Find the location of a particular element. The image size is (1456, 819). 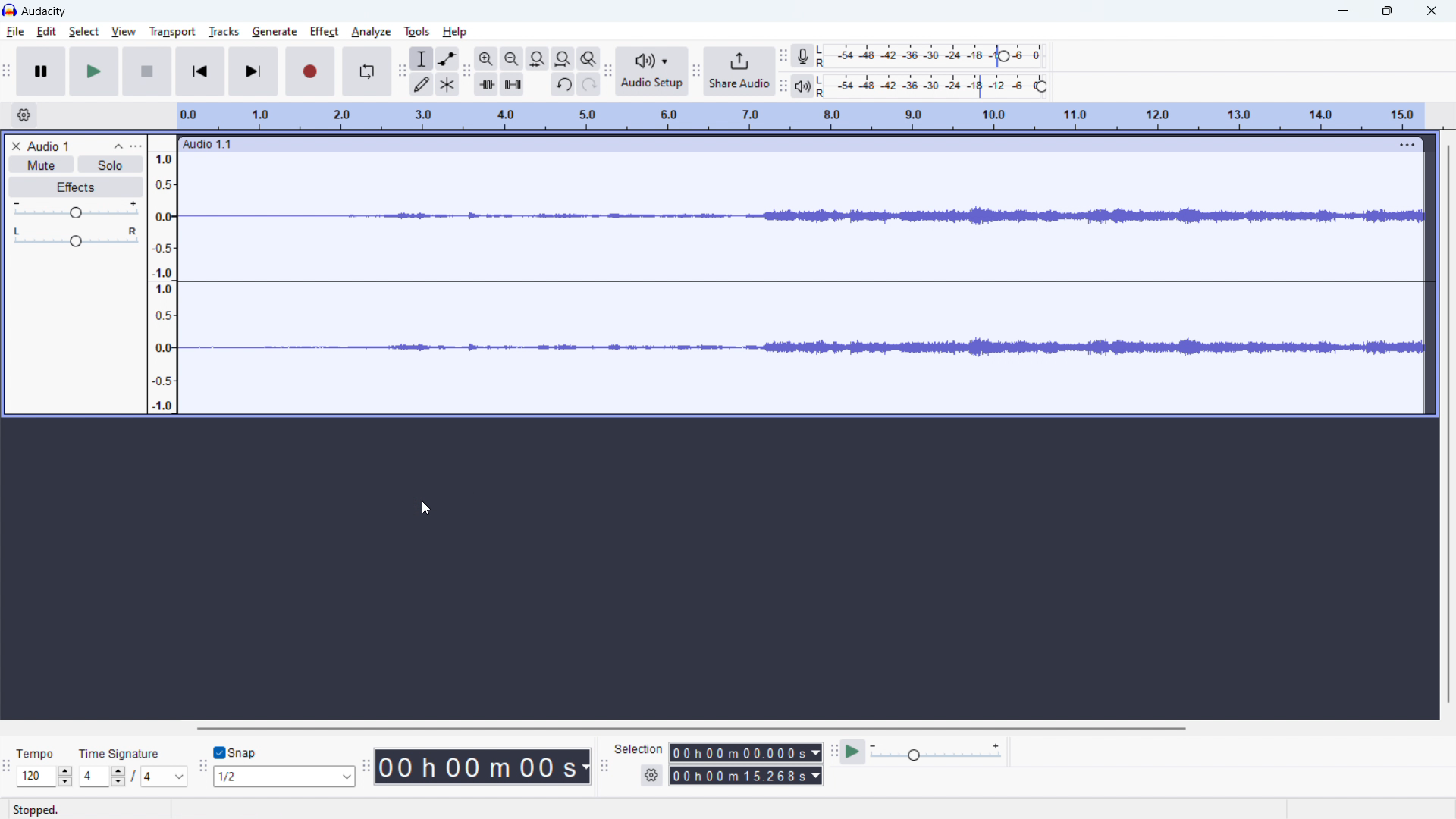

horizontal scrollbar is located at coordinates (695, 728).